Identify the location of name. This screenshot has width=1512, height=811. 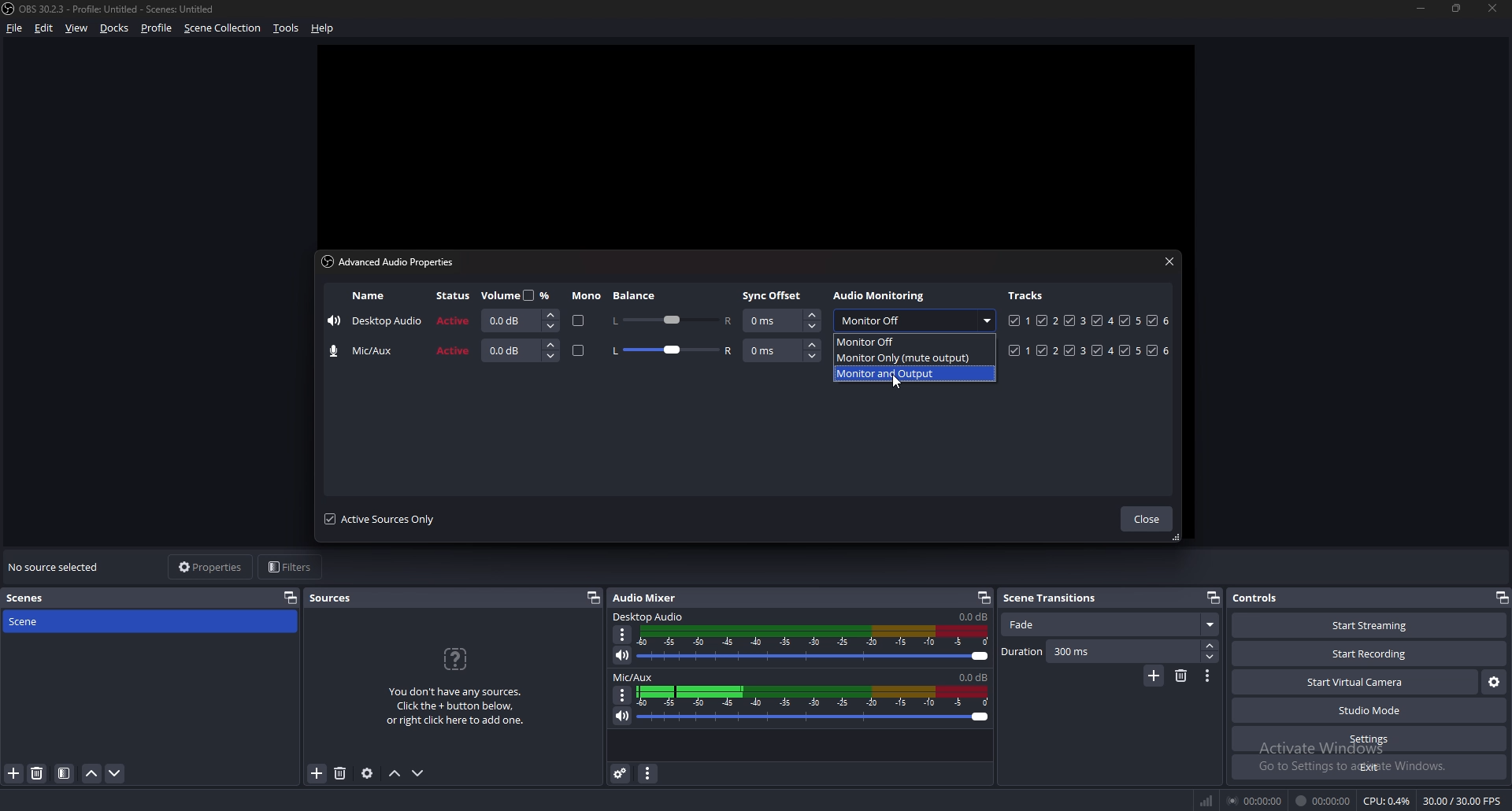
(369, 296).